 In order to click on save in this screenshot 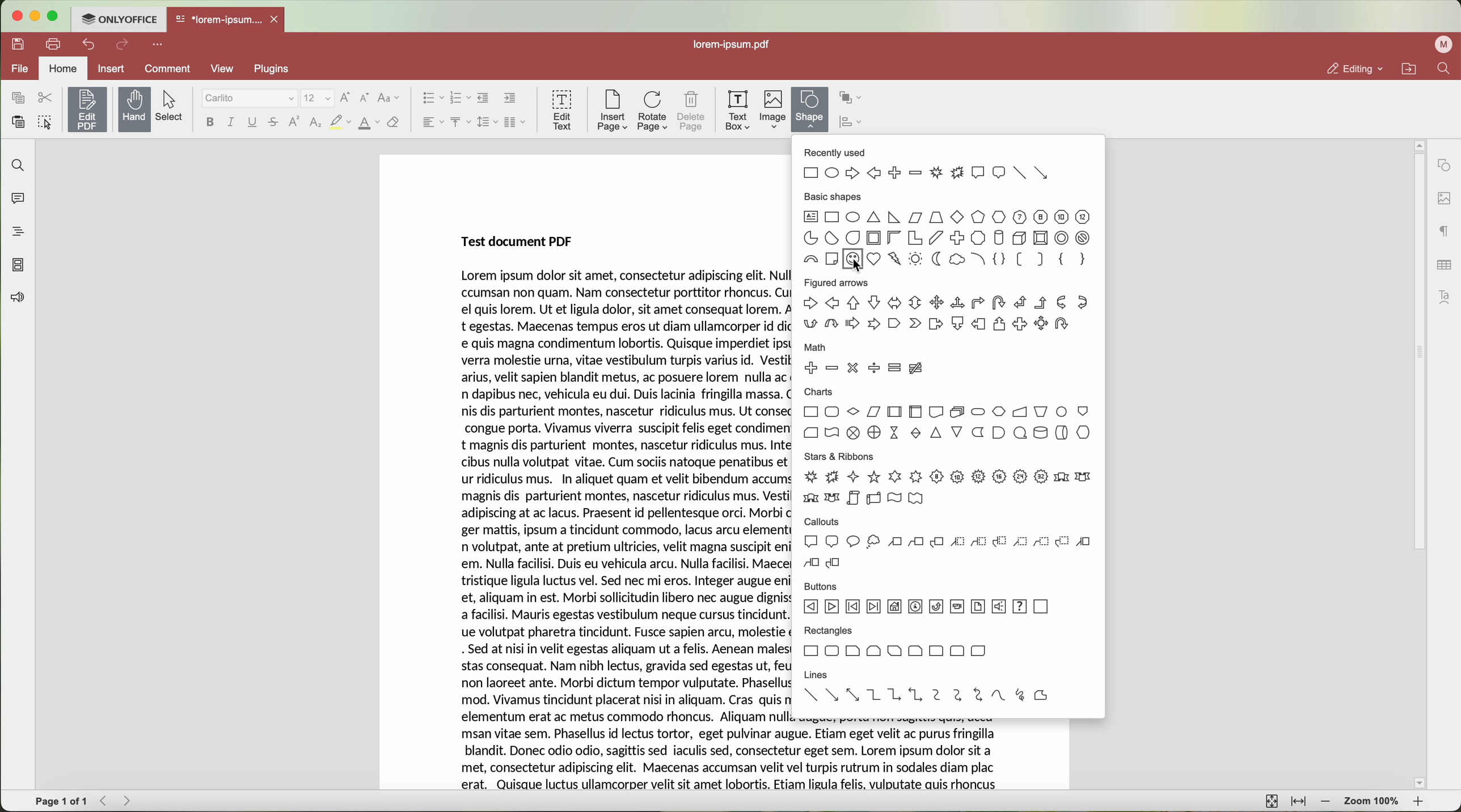, I will do `click(19, 43)`.